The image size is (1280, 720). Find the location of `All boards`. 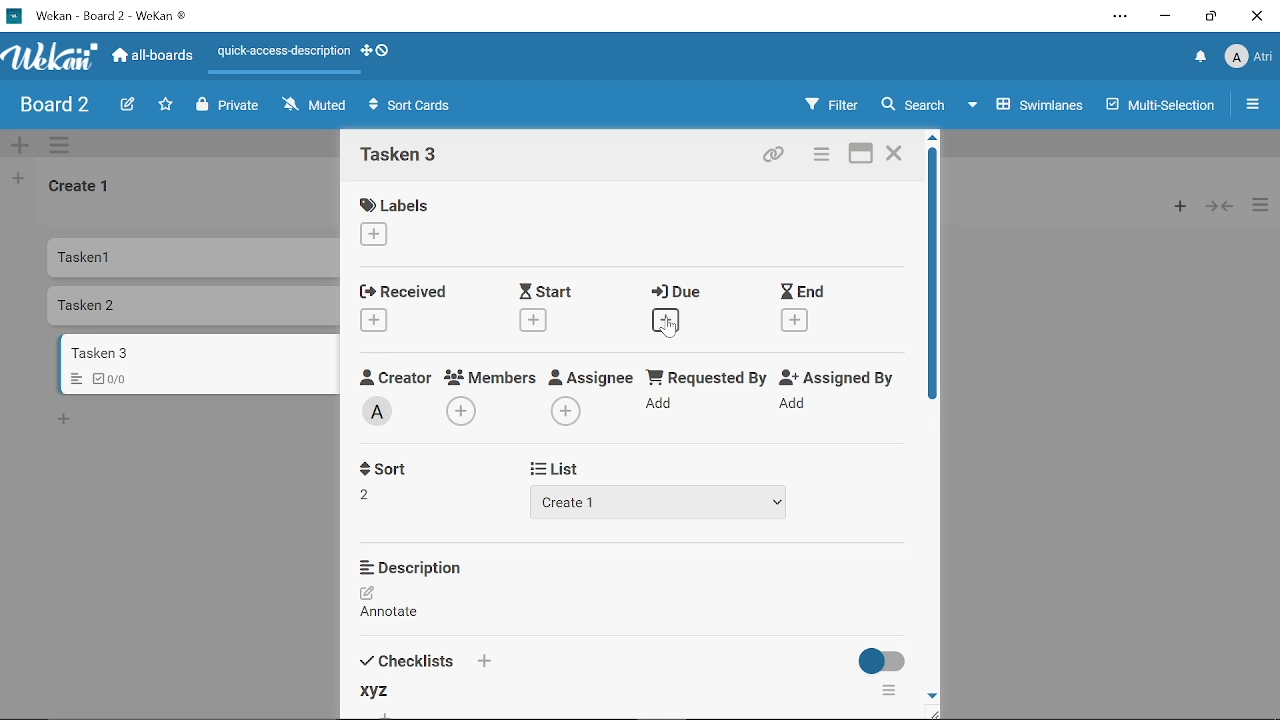

All boards is located at coordinates (155, 57).